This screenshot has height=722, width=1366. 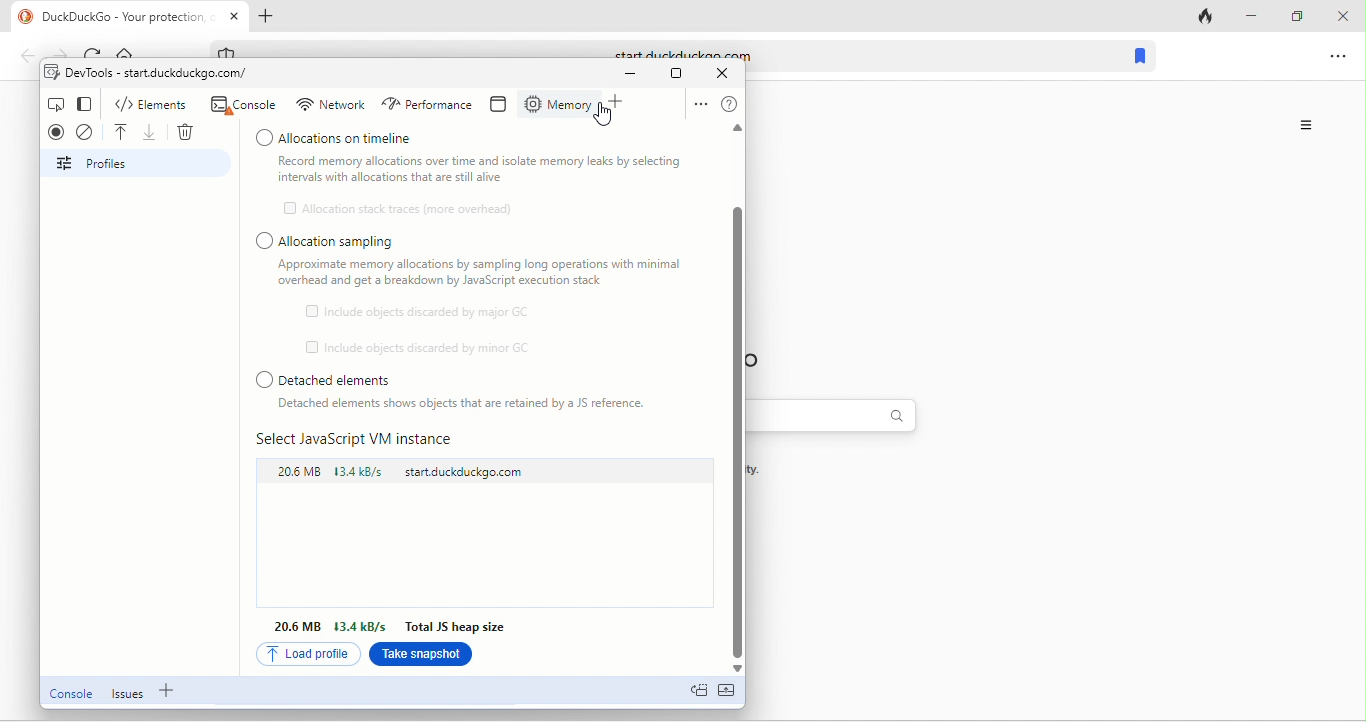 What do you see at coordinates (362, 624) in the screenshot?
I see `3.4 kb/s` at bounding box center [362, 624].